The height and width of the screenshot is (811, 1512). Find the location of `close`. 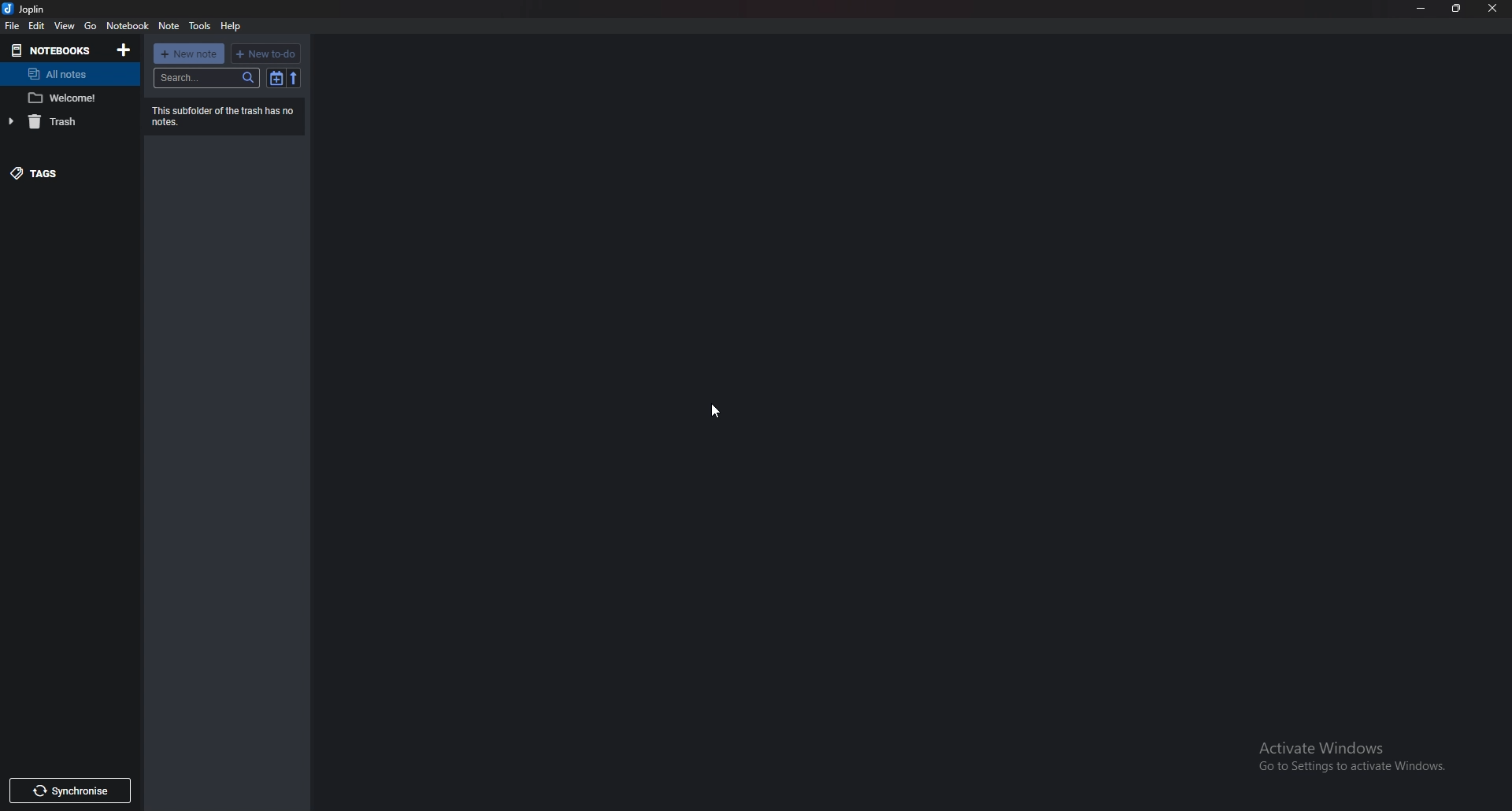

close is located at coordinates (1493, 7).